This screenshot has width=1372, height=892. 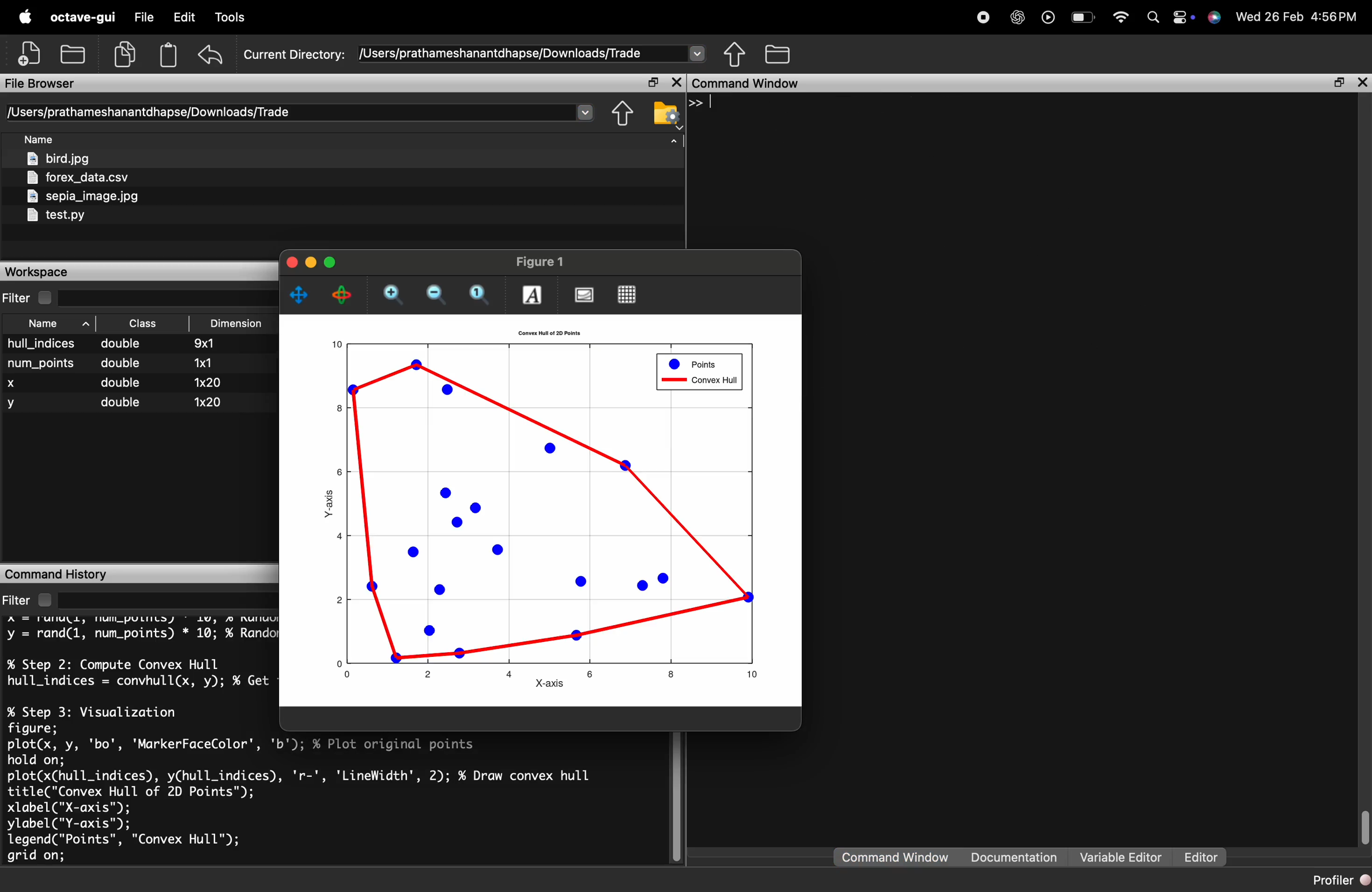 I want to click on share, so click(x=735, y=55).